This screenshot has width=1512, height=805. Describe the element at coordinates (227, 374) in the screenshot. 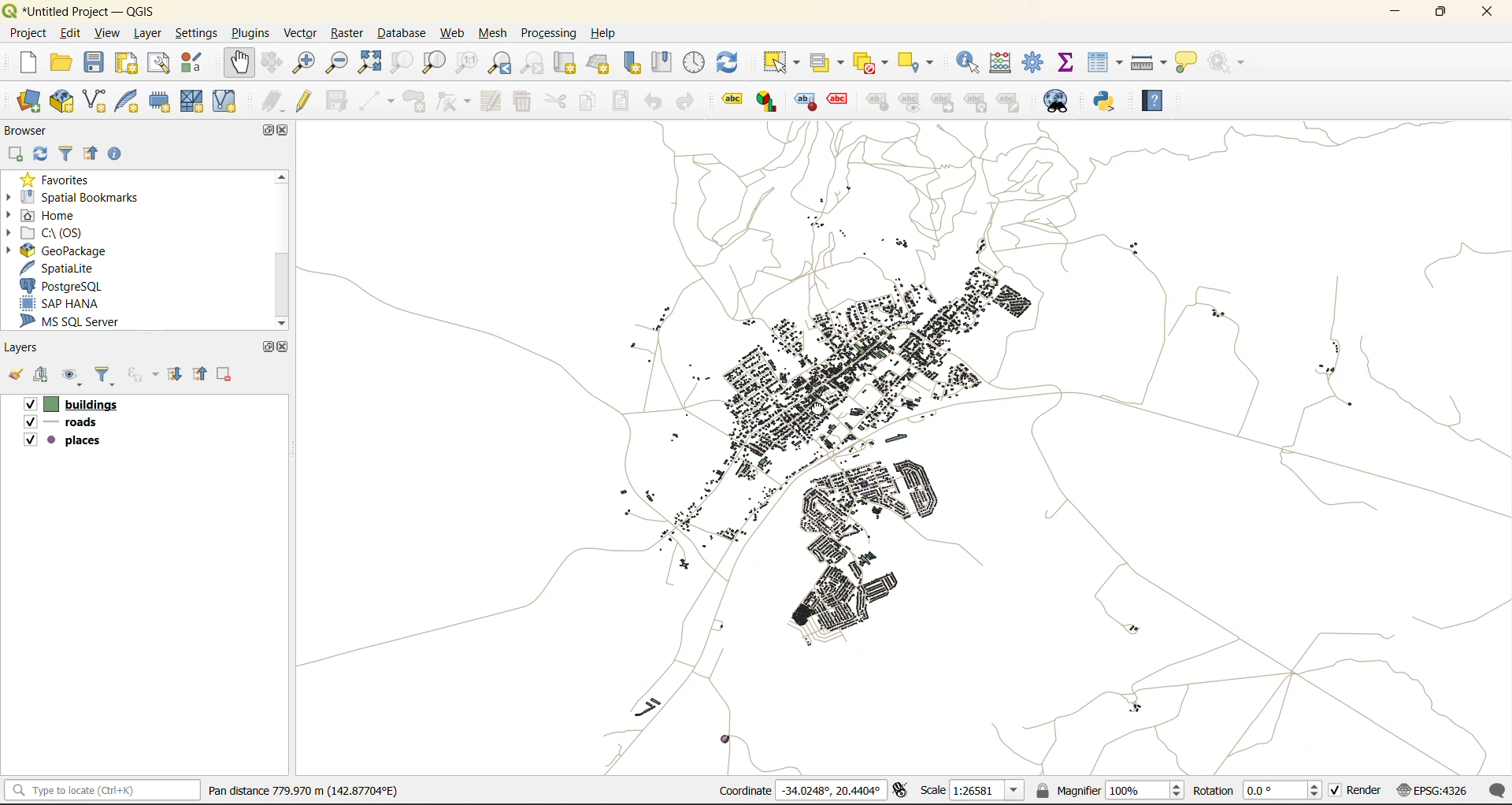

I see `remove` at that location.